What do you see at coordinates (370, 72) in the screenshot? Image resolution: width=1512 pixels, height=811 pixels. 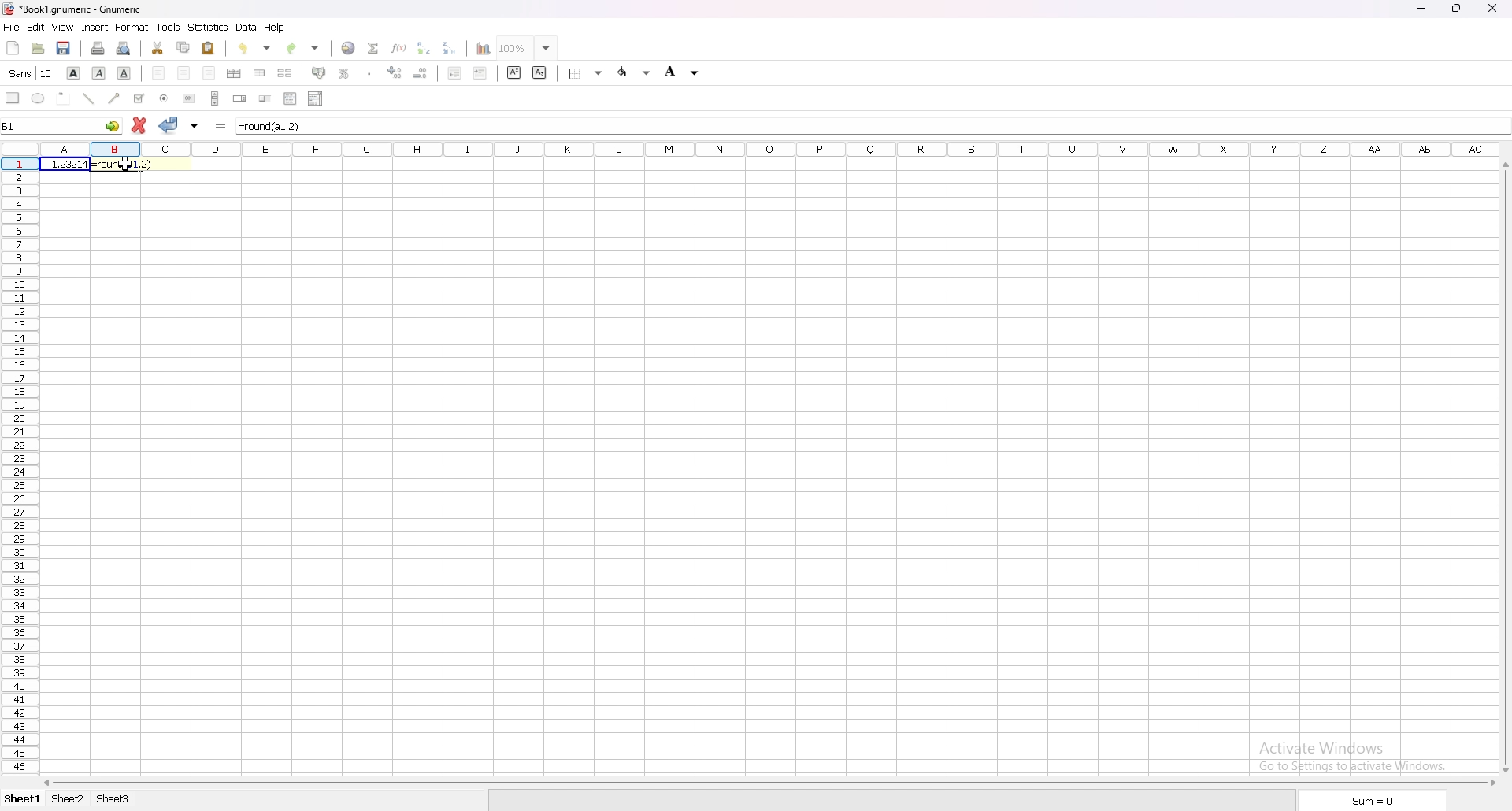 I see `thousand separator` at bounding box center [370, 72].